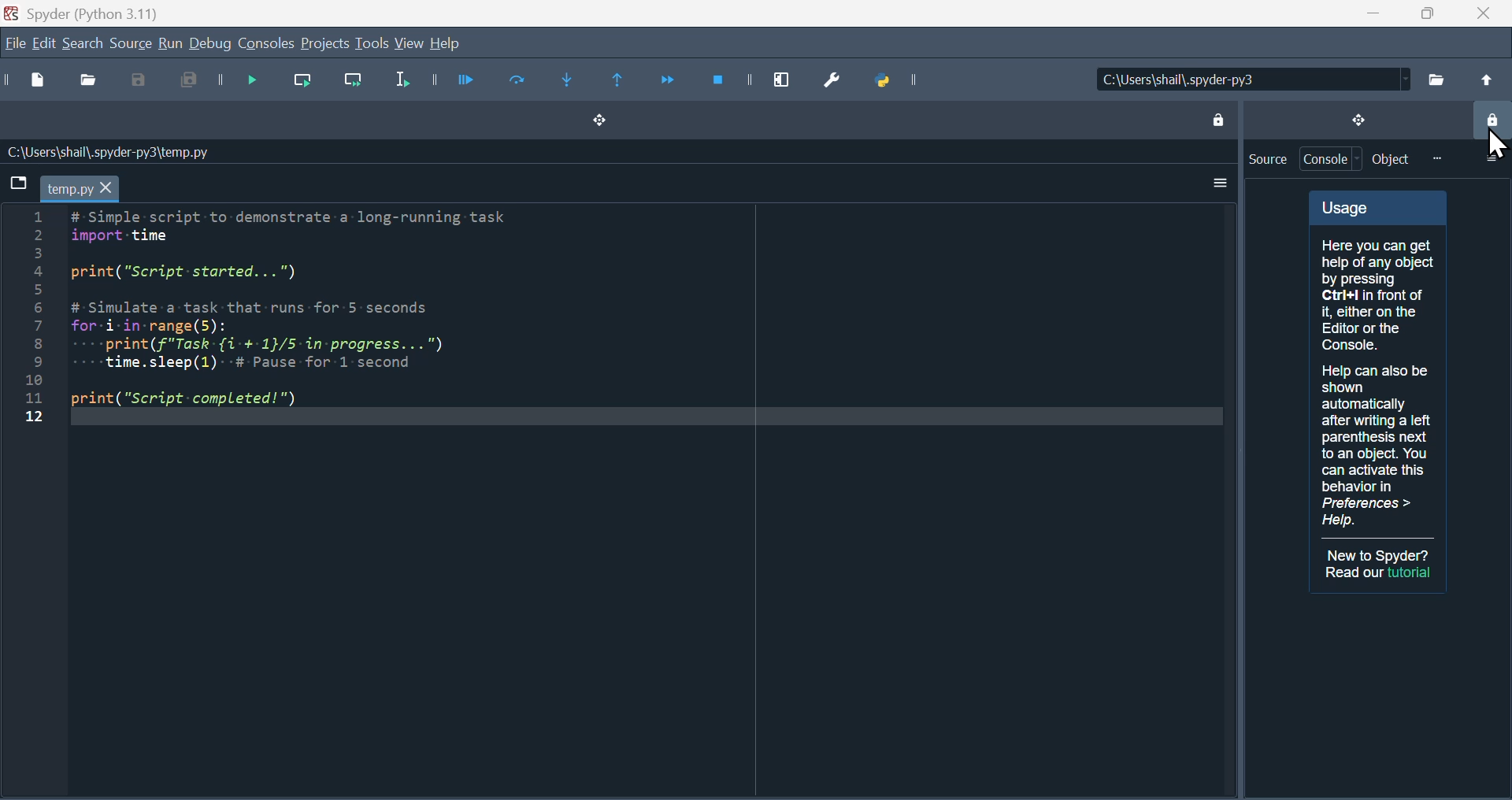  Describe the element at coordinates (518, 81) in the screenshot. I see `run current file` at that location.